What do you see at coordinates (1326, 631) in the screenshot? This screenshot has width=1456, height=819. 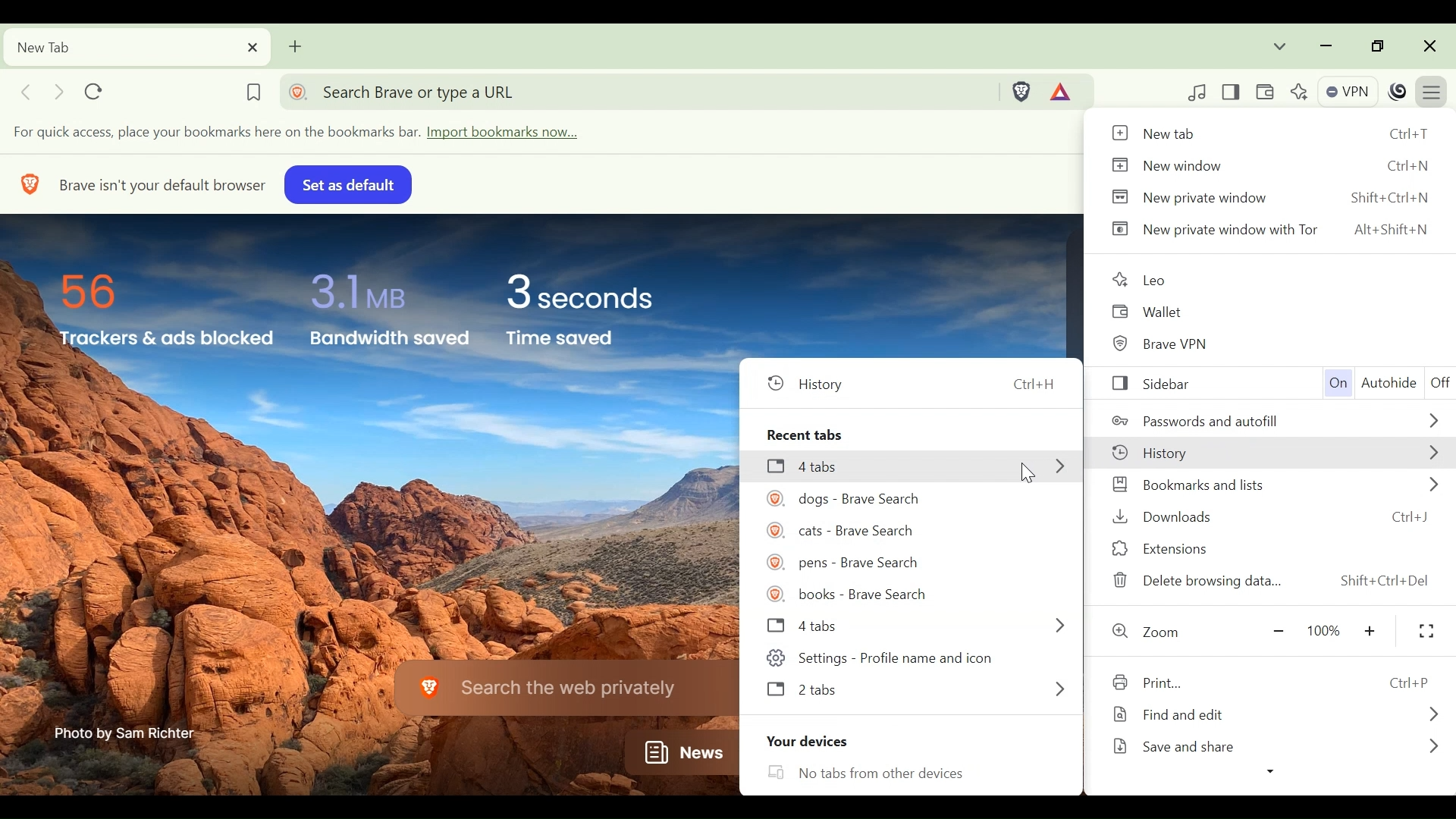 I see `100%` at bounding box center [1326, 631].